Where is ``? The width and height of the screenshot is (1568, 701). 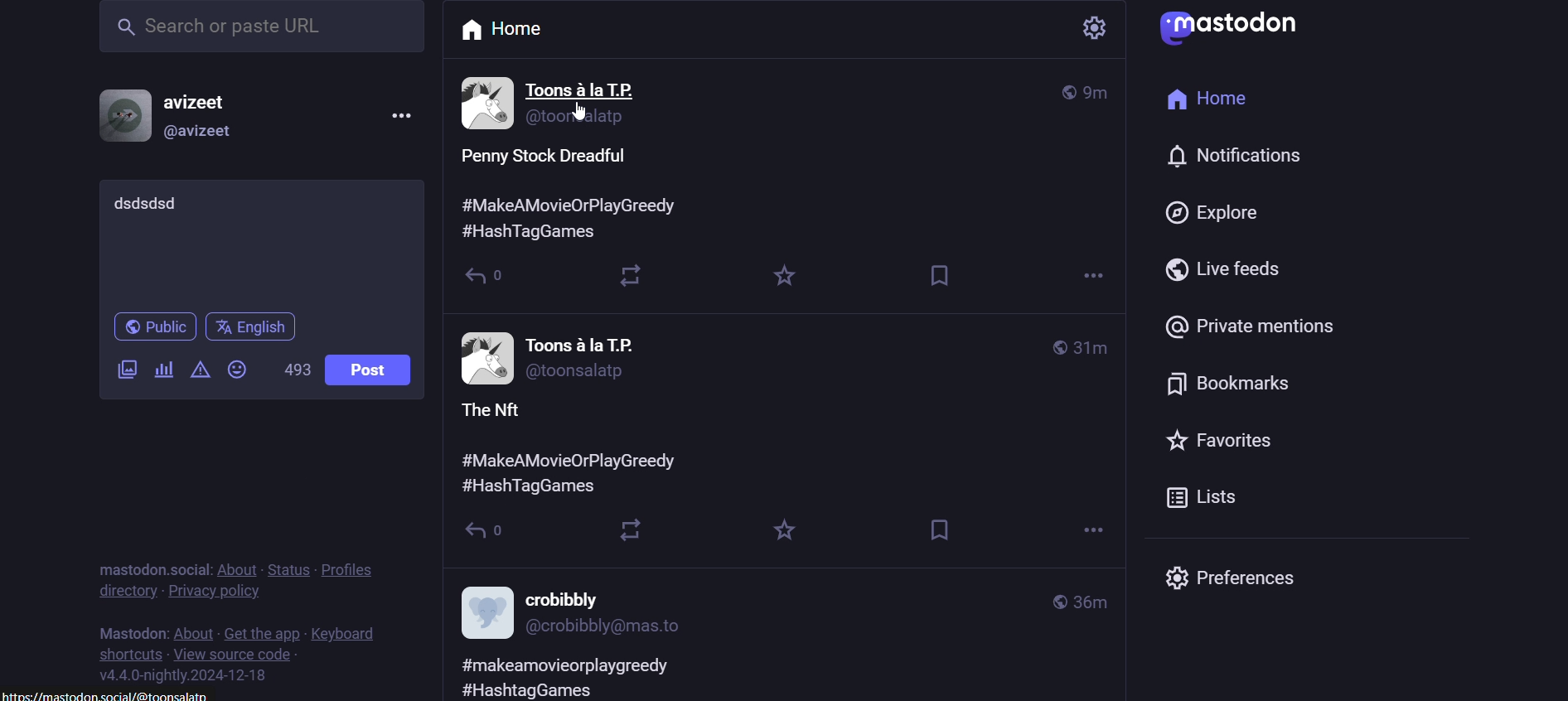  is located at coordinates (786, 529).